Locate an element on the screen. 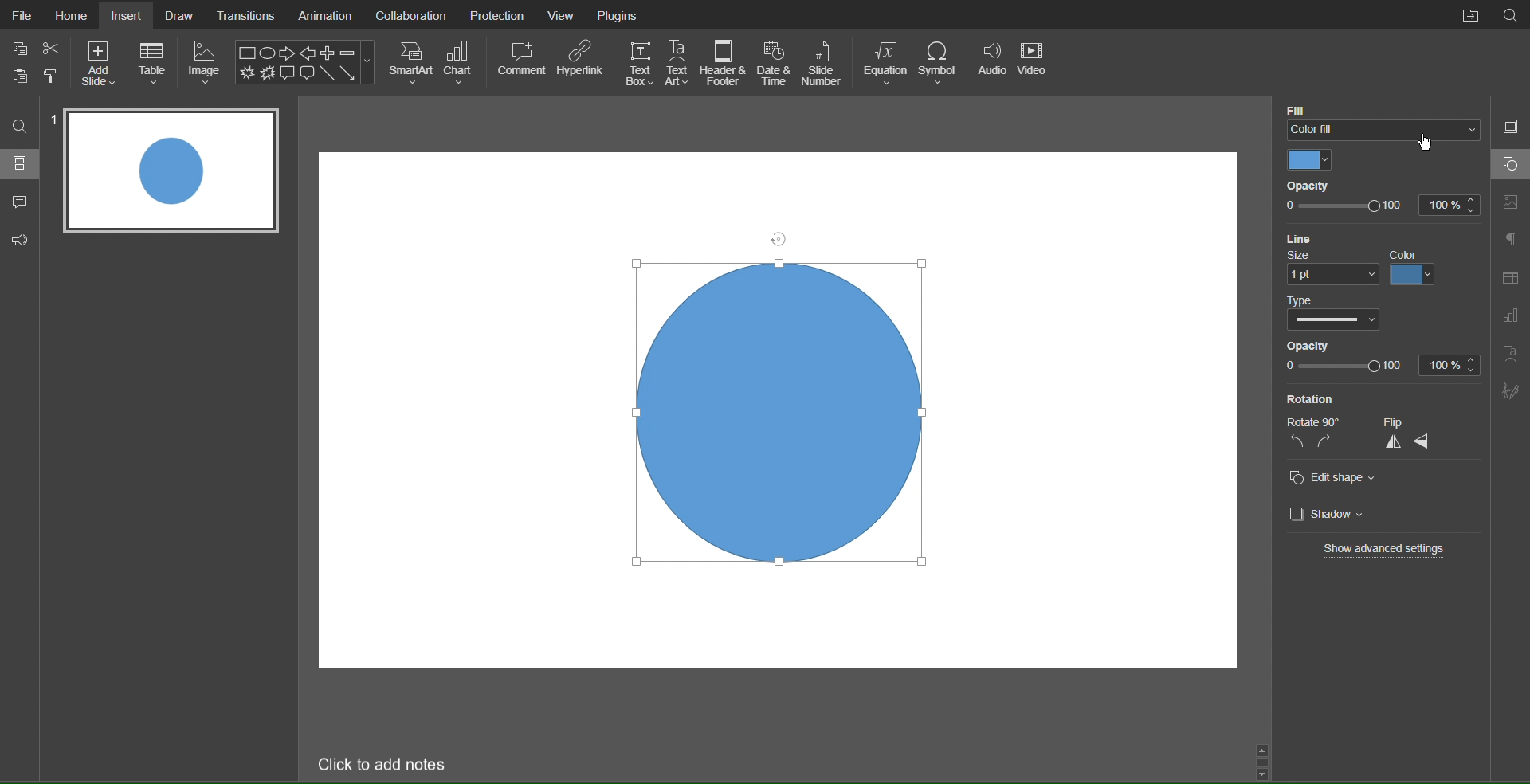  Search is located at coordinates (22, 126).